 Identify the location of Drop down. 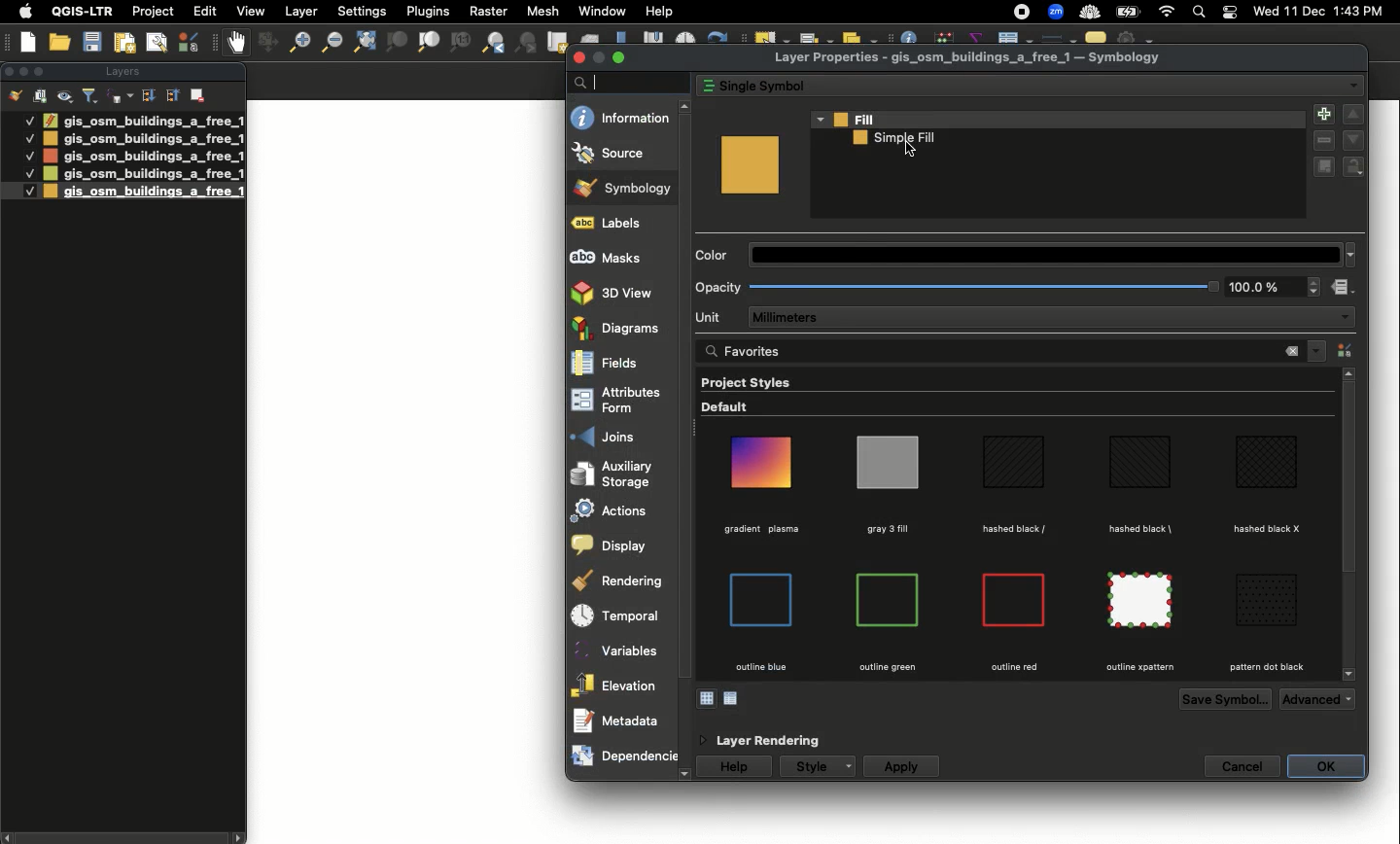
(1313, 286).